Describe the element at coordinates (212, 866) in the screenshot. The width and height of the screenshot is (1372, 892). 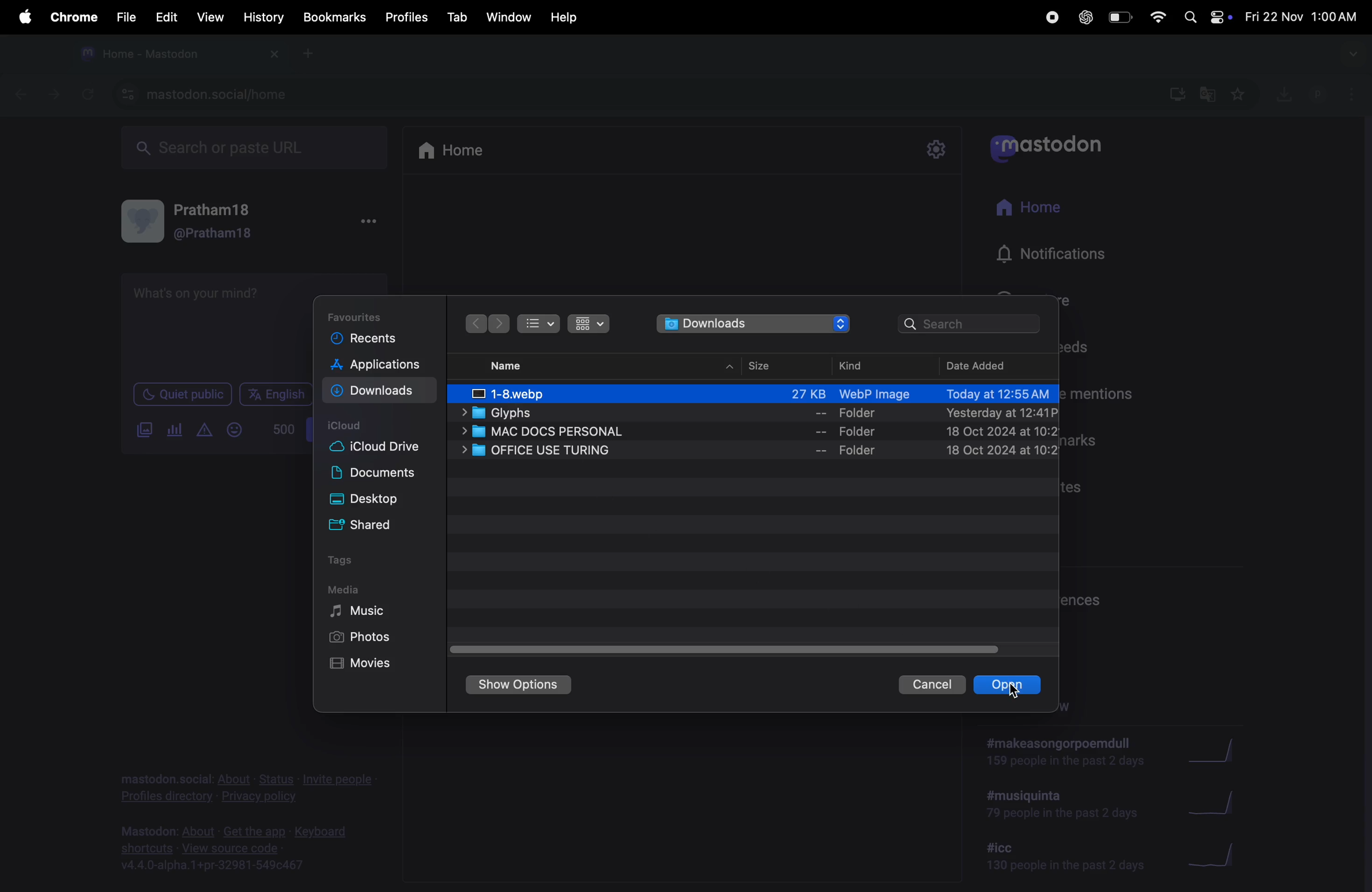
I see `v4.4.0-alpha.1+pr-32981-549c467` at that location.